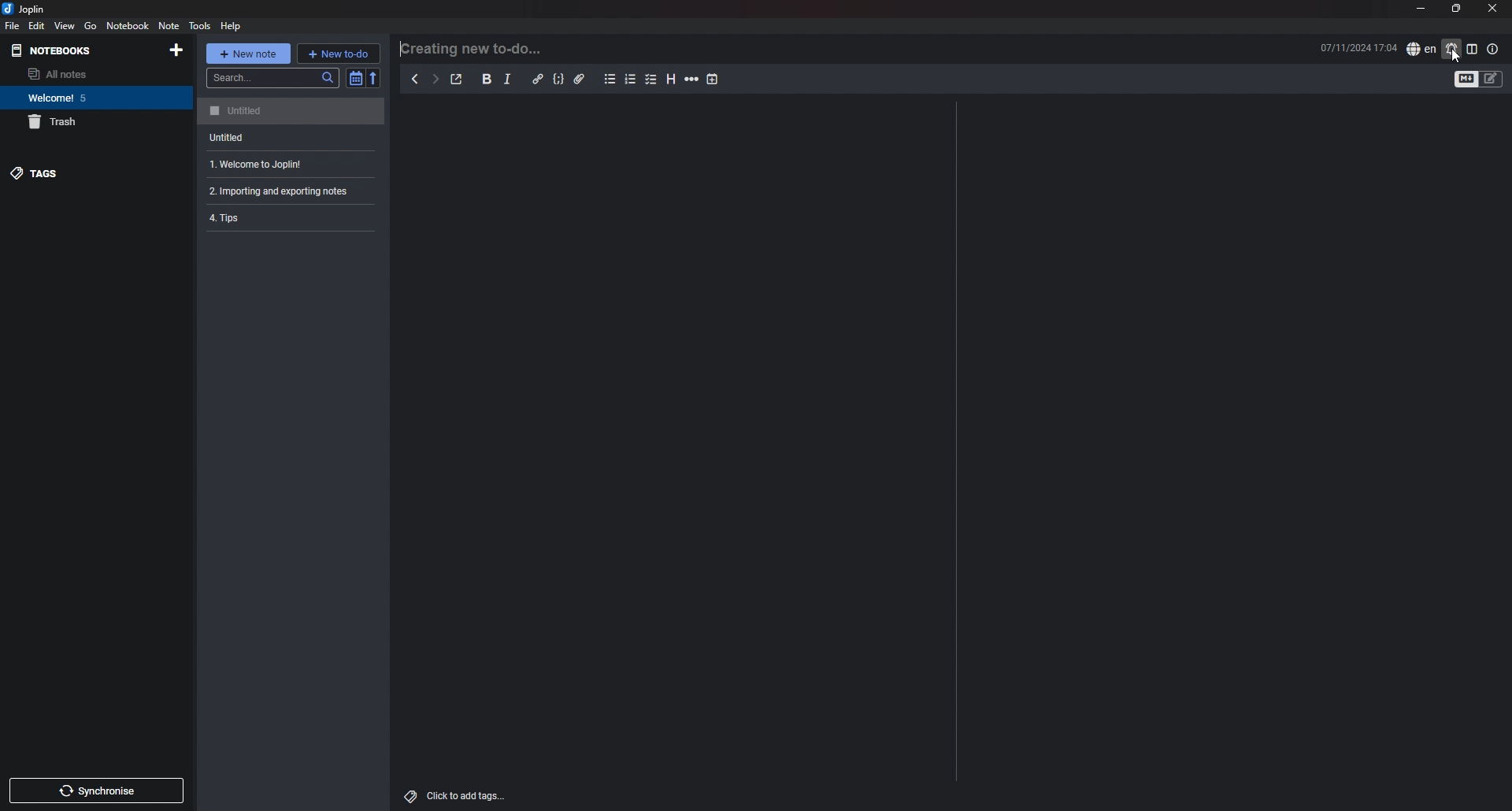 This screenshot has width=1512, height=811. I want to click on note, so click(292, 137).